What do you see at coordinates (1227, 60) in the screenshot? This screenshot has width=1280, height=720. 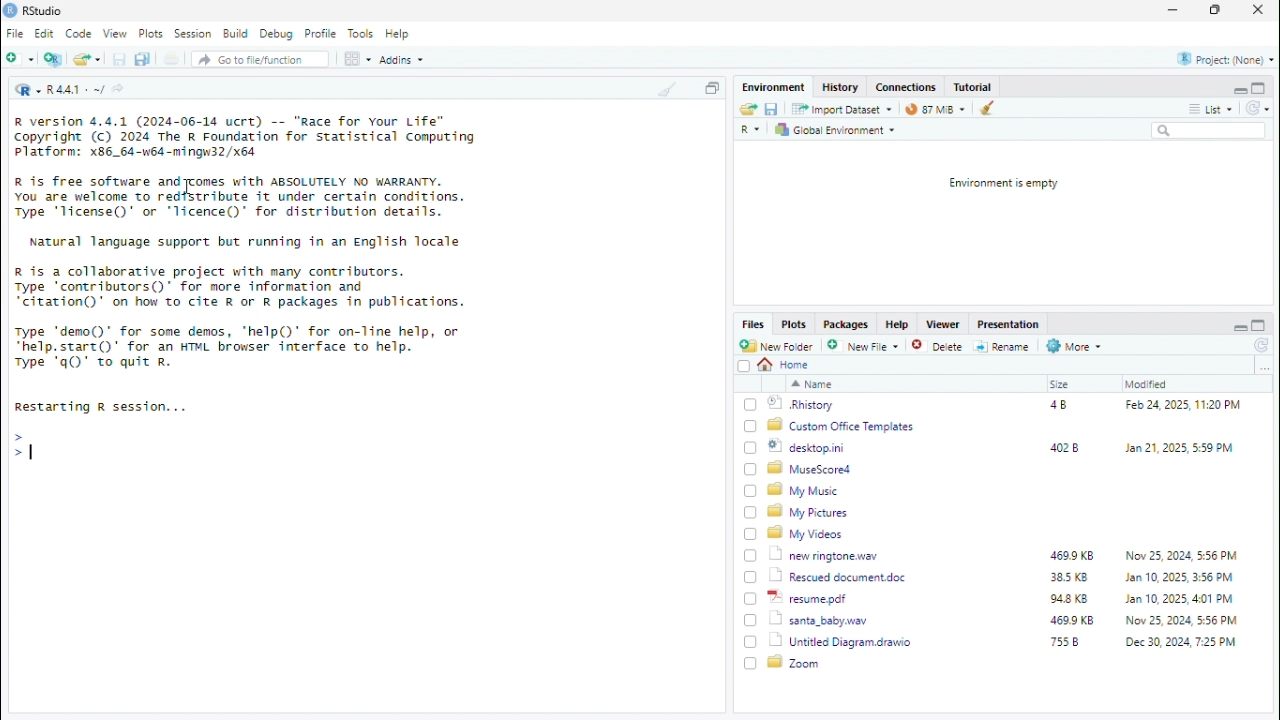 I see `Project:(None)` at bounding box center [1227, 60].